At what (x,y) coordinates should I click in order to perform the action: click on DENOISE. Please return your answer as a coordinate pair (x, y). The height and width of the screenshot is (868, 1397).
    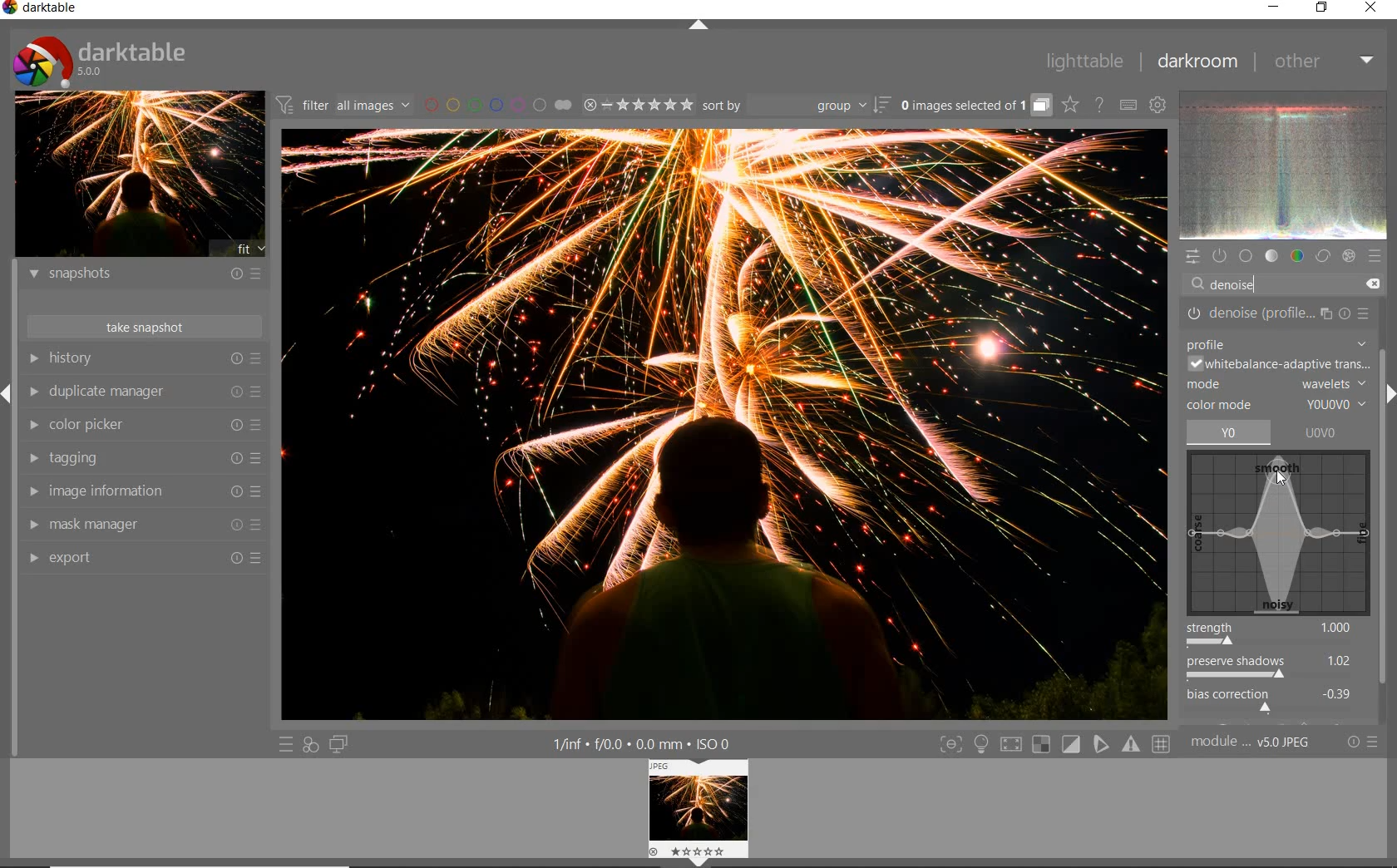
    Looking at the image, I should click on (1241, 286).